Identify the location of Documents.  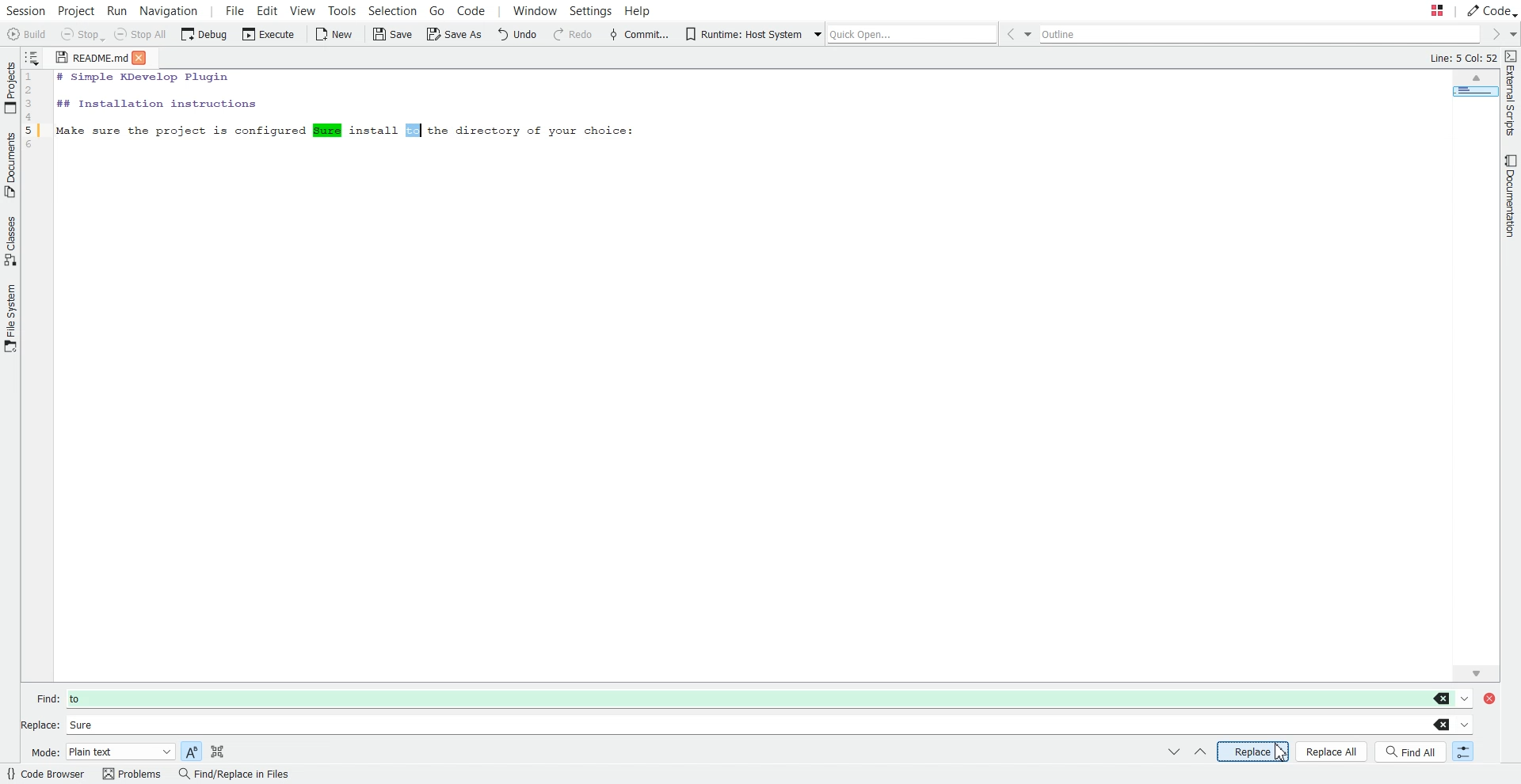
(10, 165).